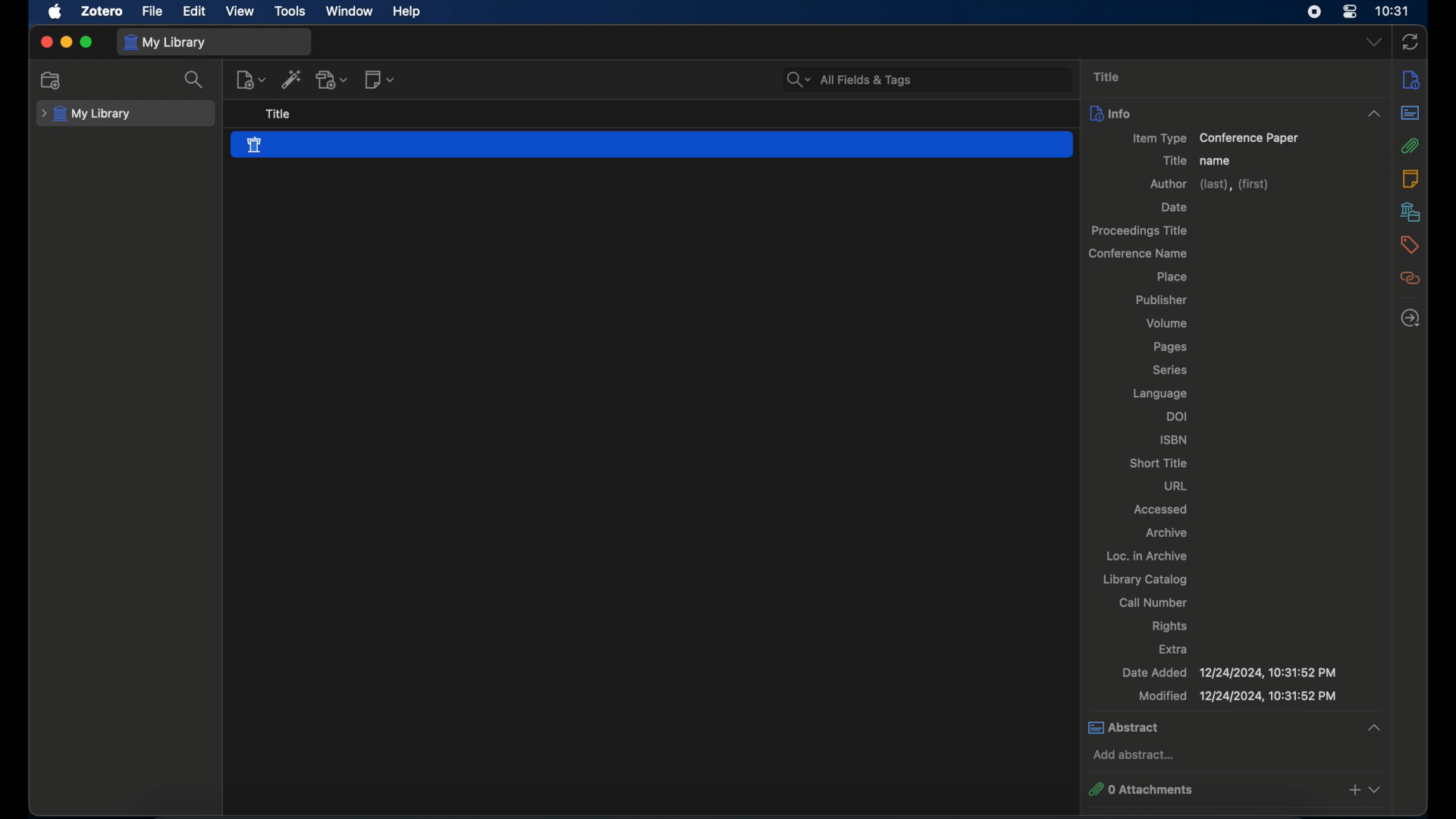 The image size is (1456, 819). I want to click on 0 attachments, so click(1236, 789).